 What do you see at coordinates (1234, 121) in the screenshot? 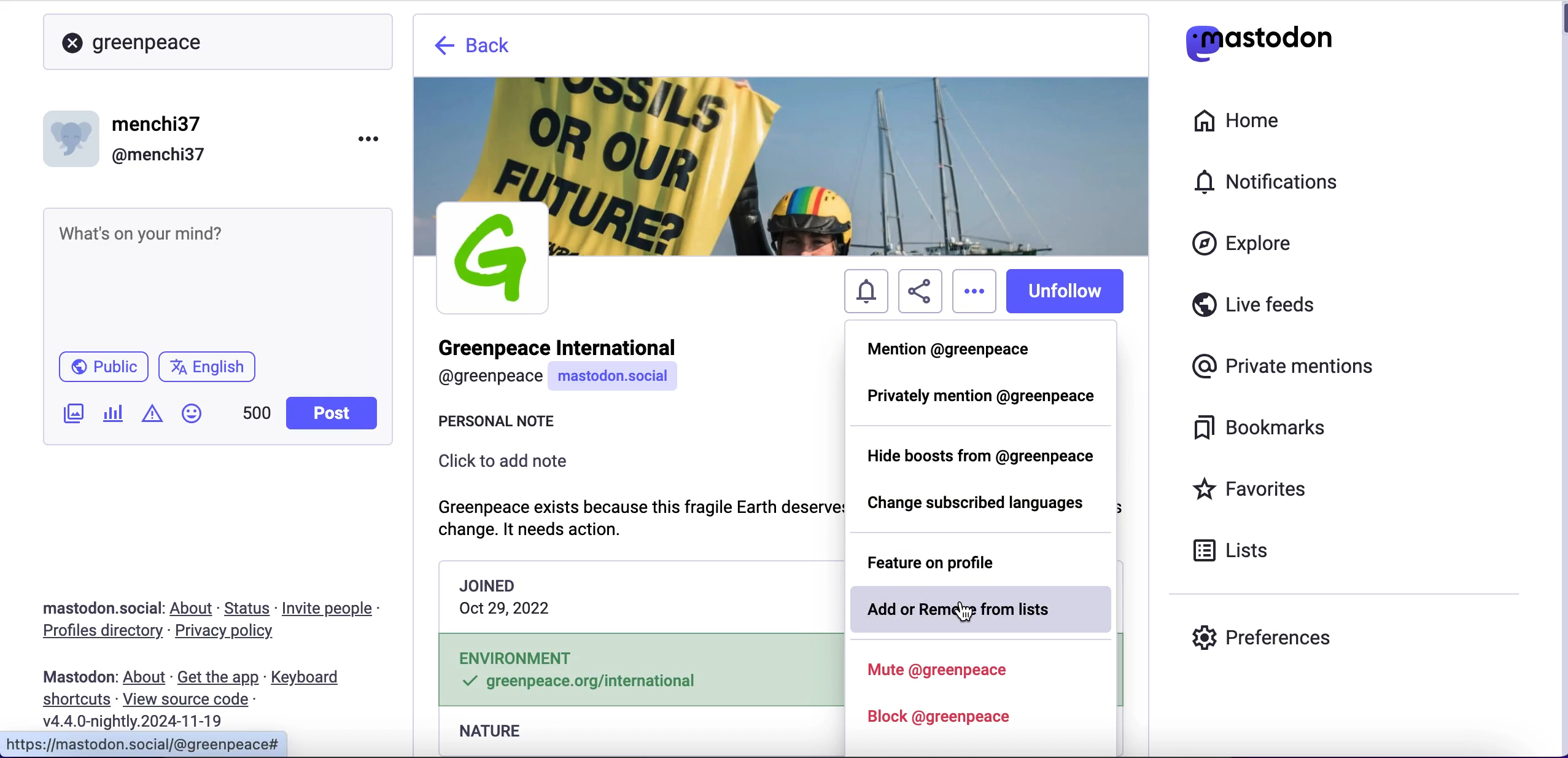
I see `home` at bounding box center [1234, 121].